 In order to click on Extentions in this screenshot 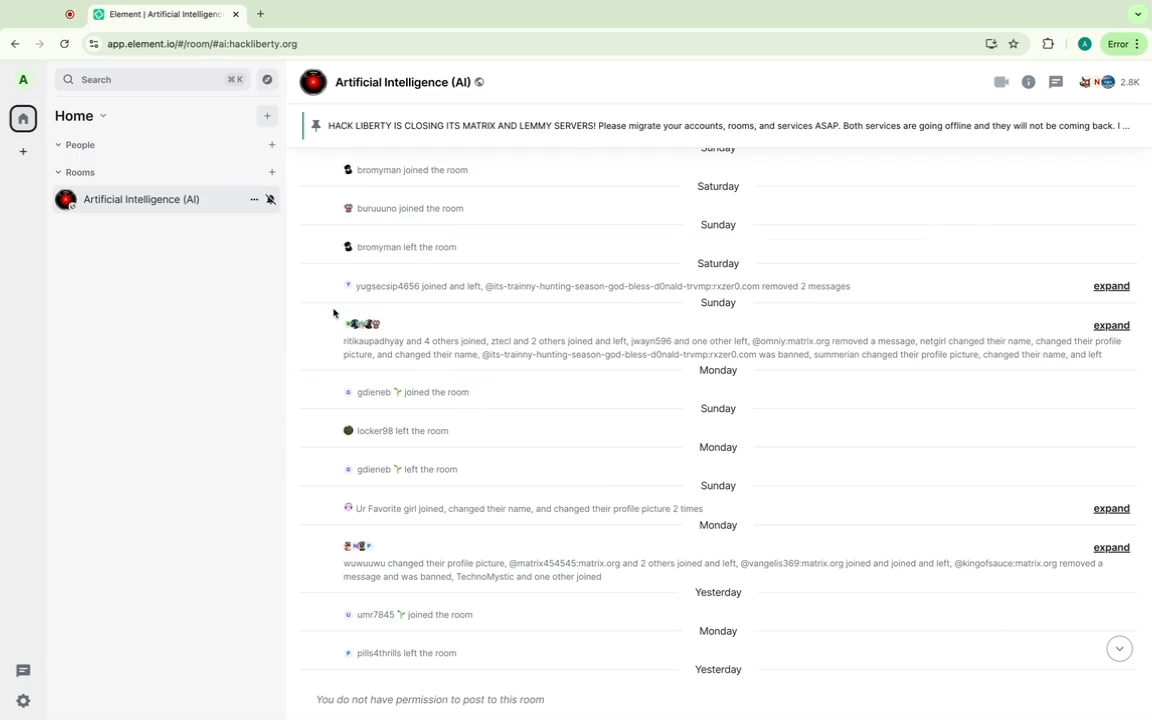, I will do `click(1046, 45)`.